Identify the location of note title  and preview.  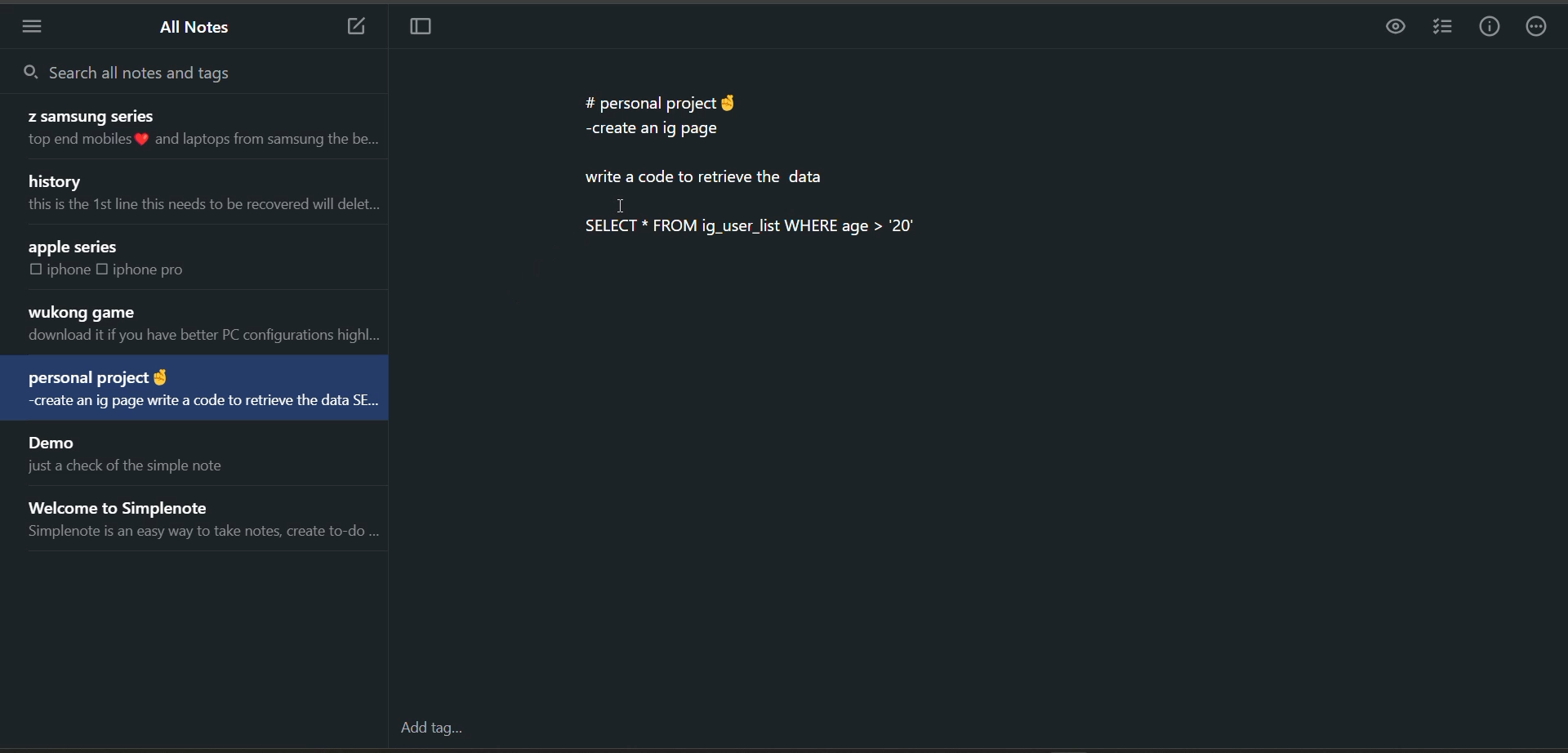
(201, 195).